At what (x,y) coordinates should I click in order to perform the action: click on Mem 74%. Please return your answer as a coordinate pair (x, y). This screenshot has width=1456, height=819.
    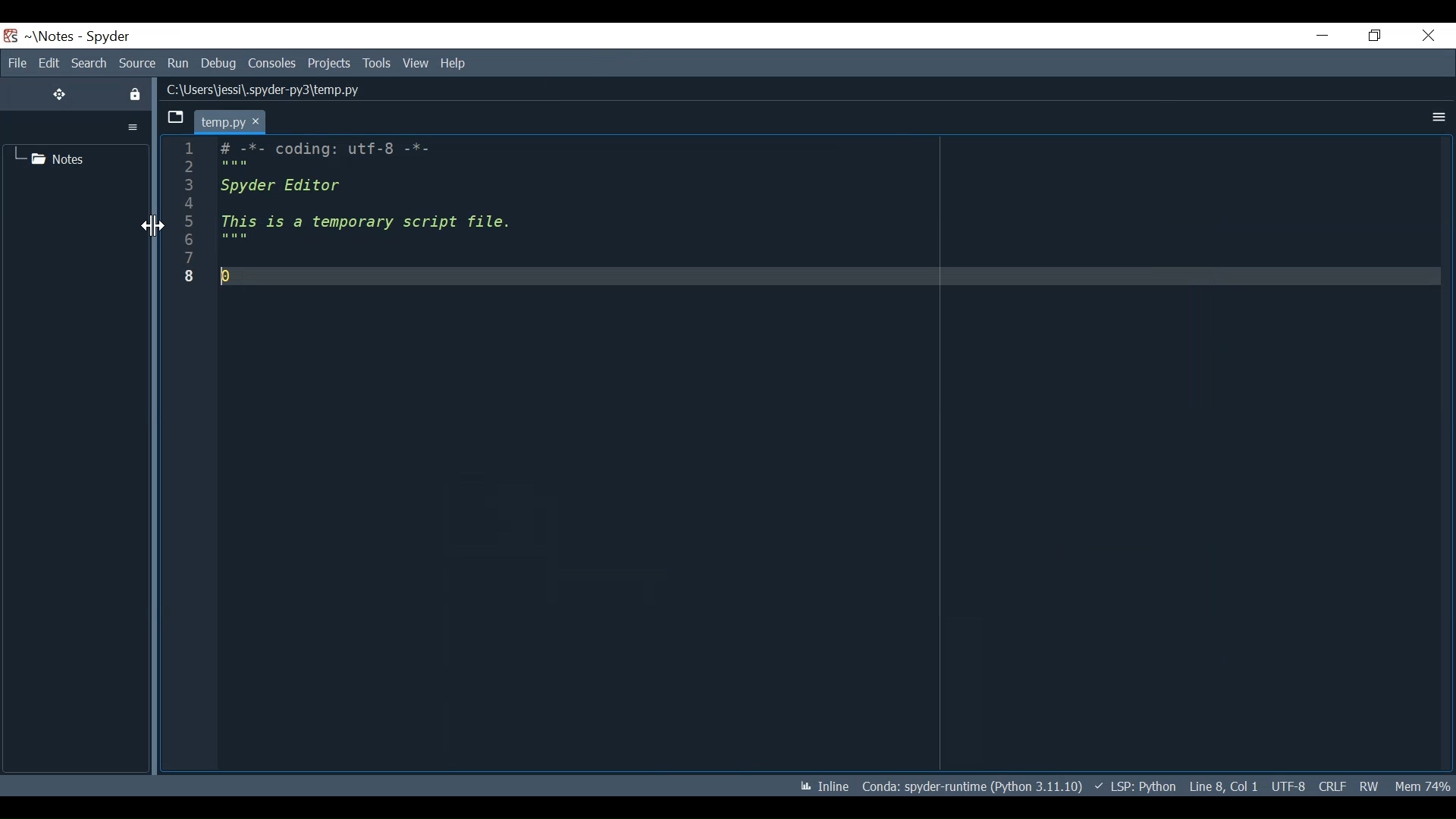
    Looking at the image, I should click on (1422, 784).